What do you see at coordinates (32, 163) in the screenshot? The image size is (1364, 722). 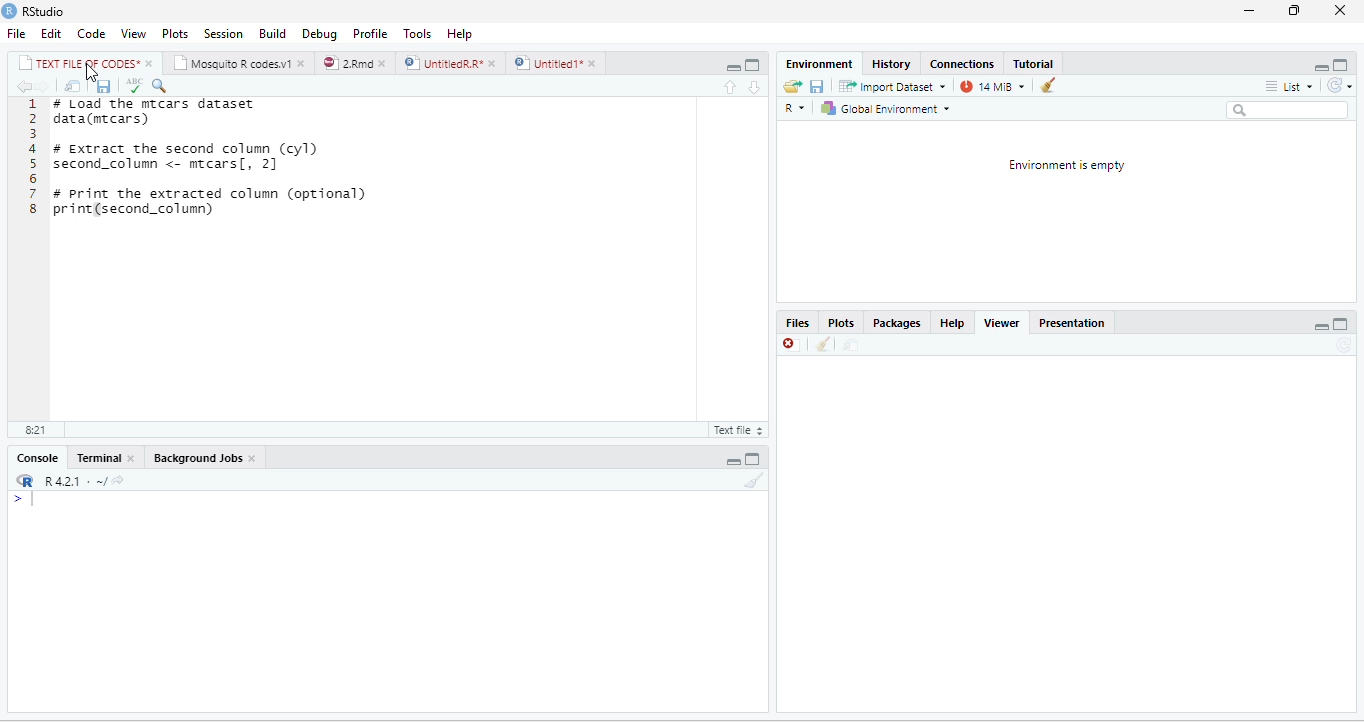 I see `5` at bounding box center [32, 163].